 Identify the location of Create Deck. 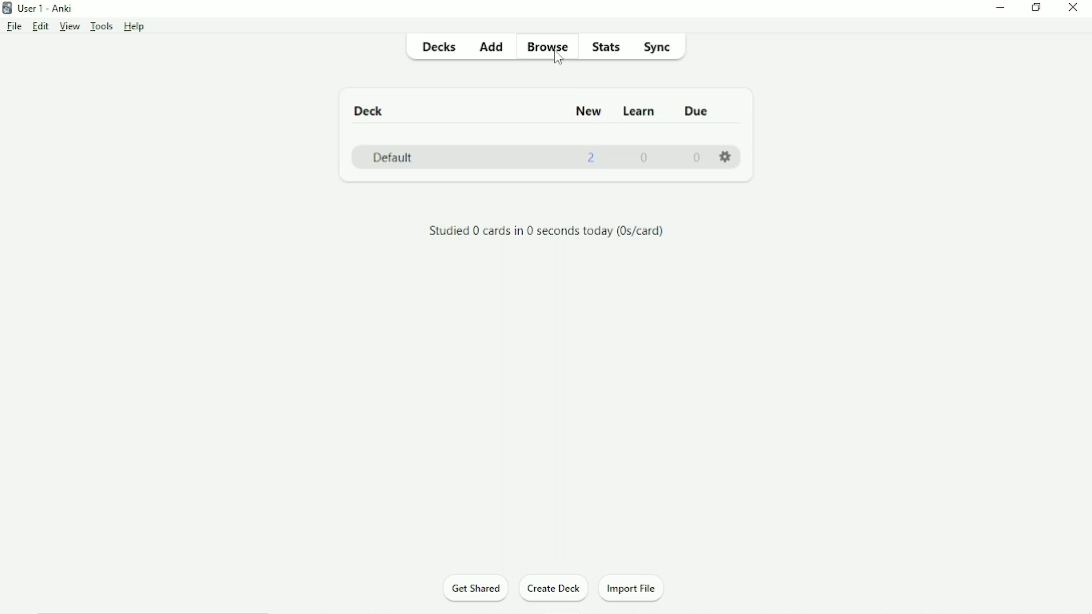
(555, 588).